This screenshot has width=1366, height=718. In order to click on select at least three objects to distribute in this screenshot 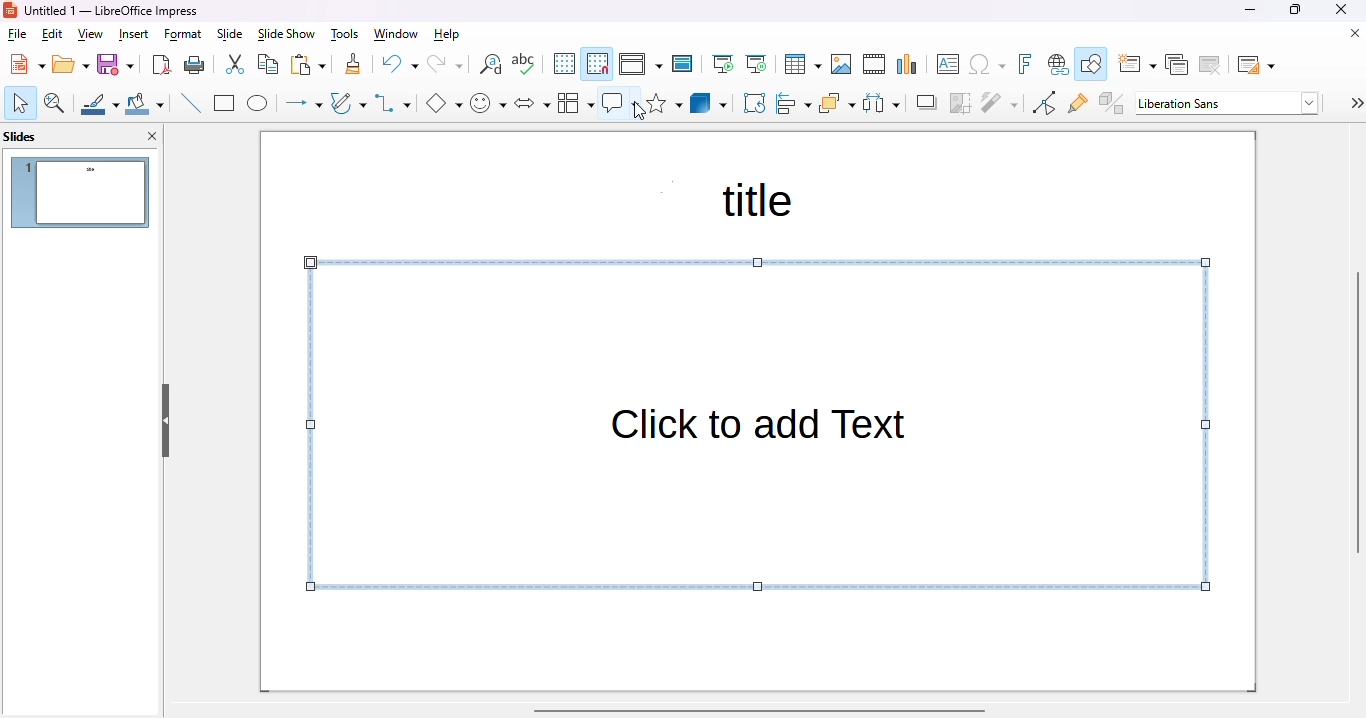, I will do `click(881, 103)`.